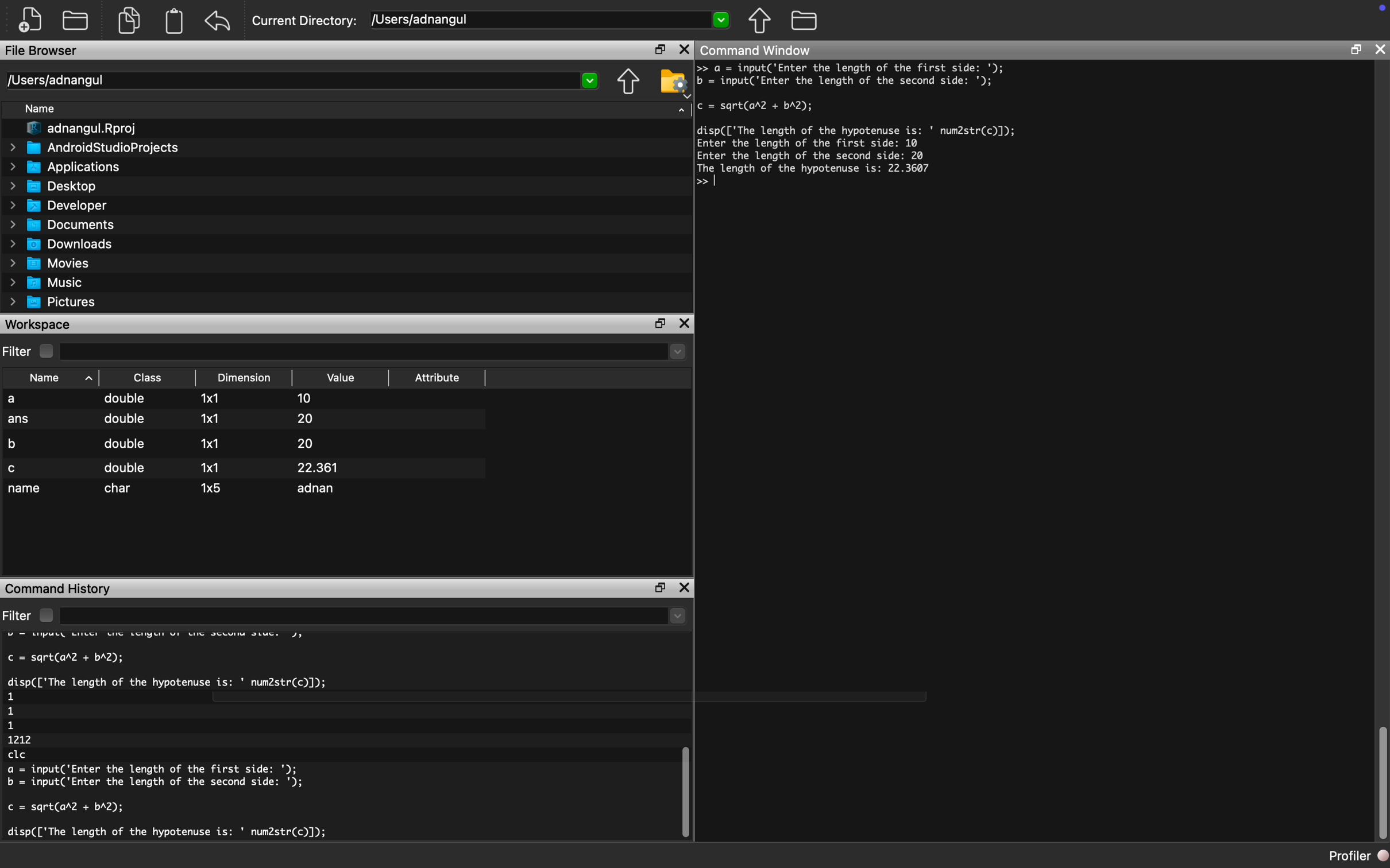 The image size is (1390, 868). What do you see at coordinates (54, 377) in the screenshot?
I see `Name` at bounding box center [54, 377].